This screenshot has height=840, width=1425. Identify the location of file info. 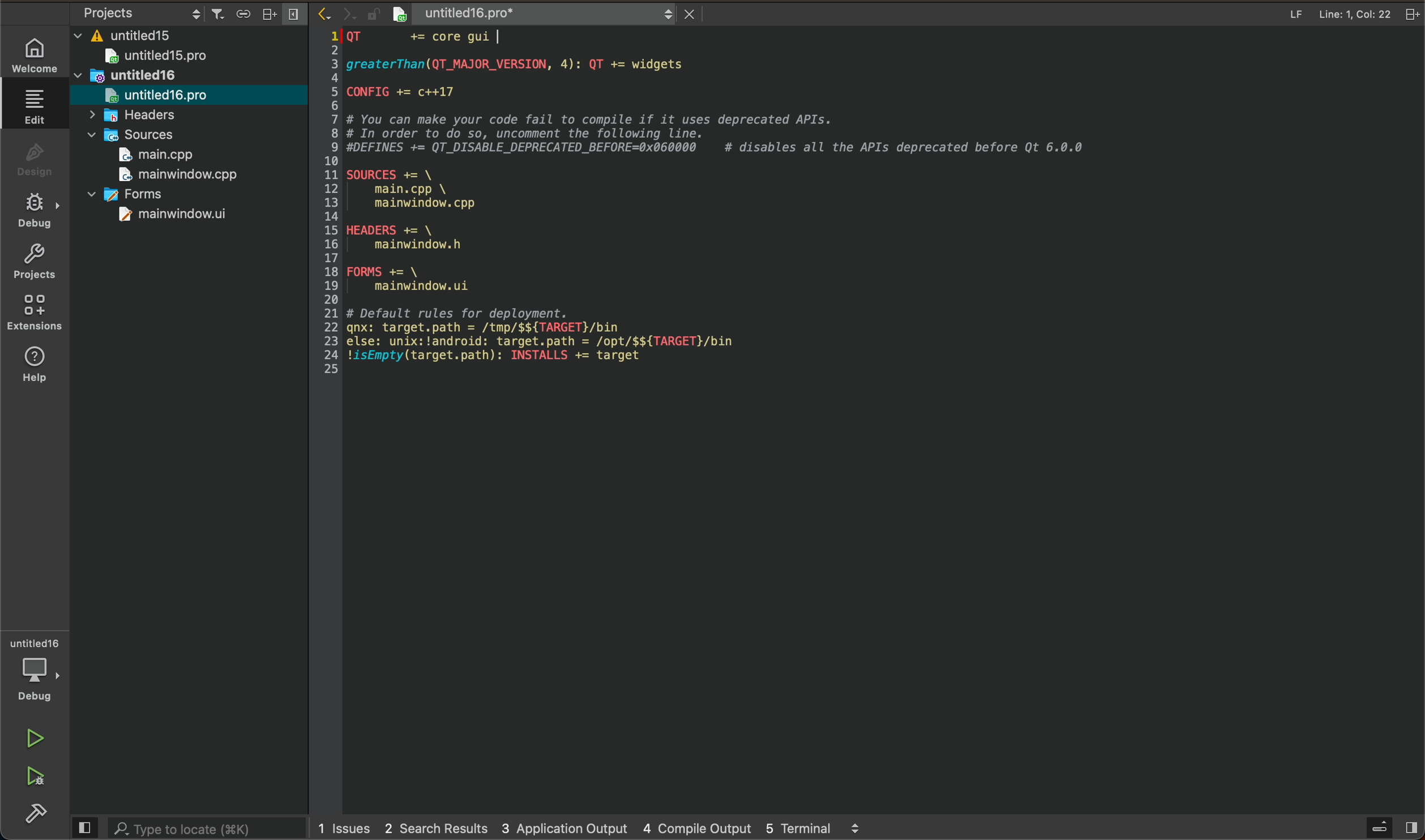
(1295, 15).